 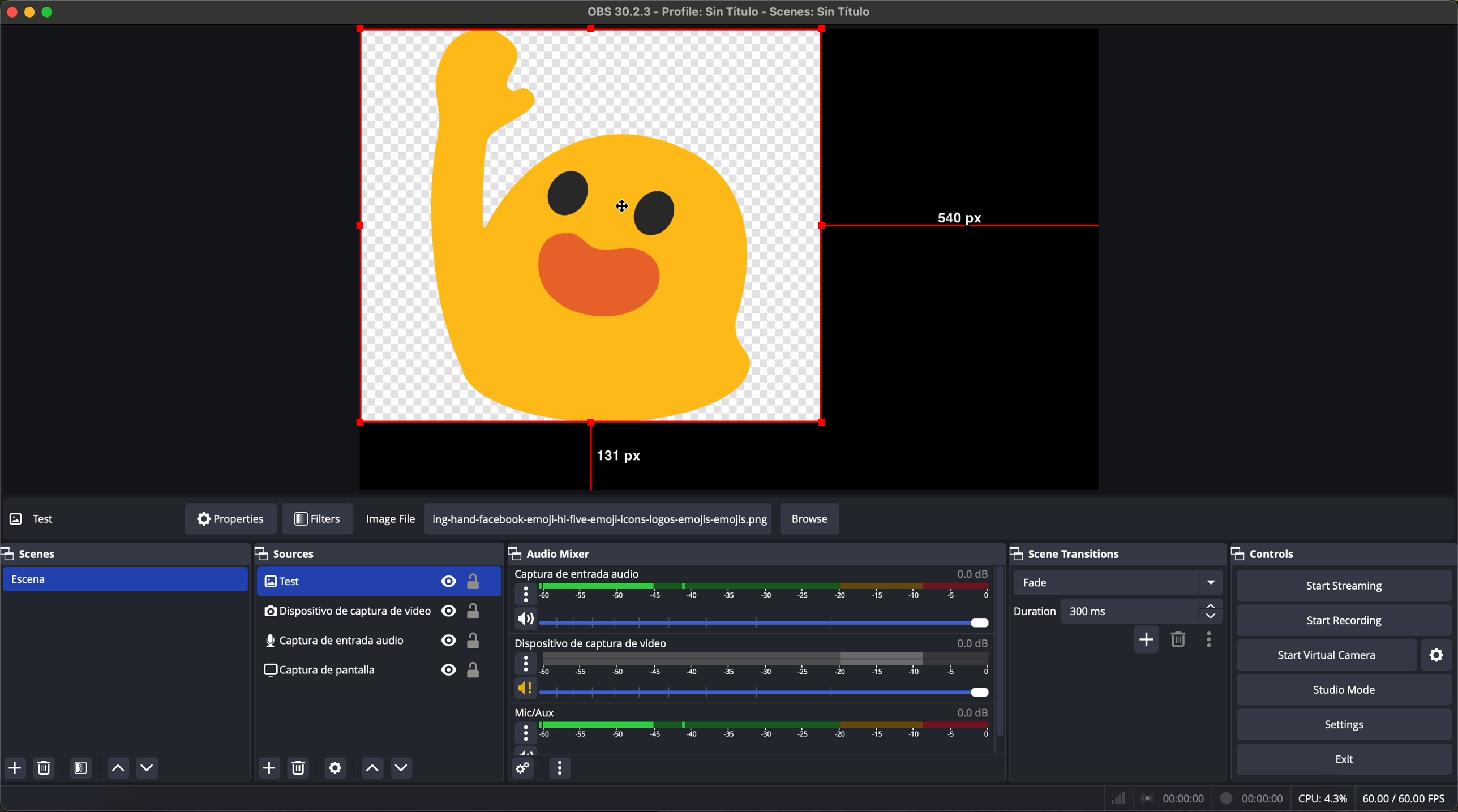 What do you see at coordinates (526, 664) in the screenshot?
I see `more options` at bounding box center [526, 664].